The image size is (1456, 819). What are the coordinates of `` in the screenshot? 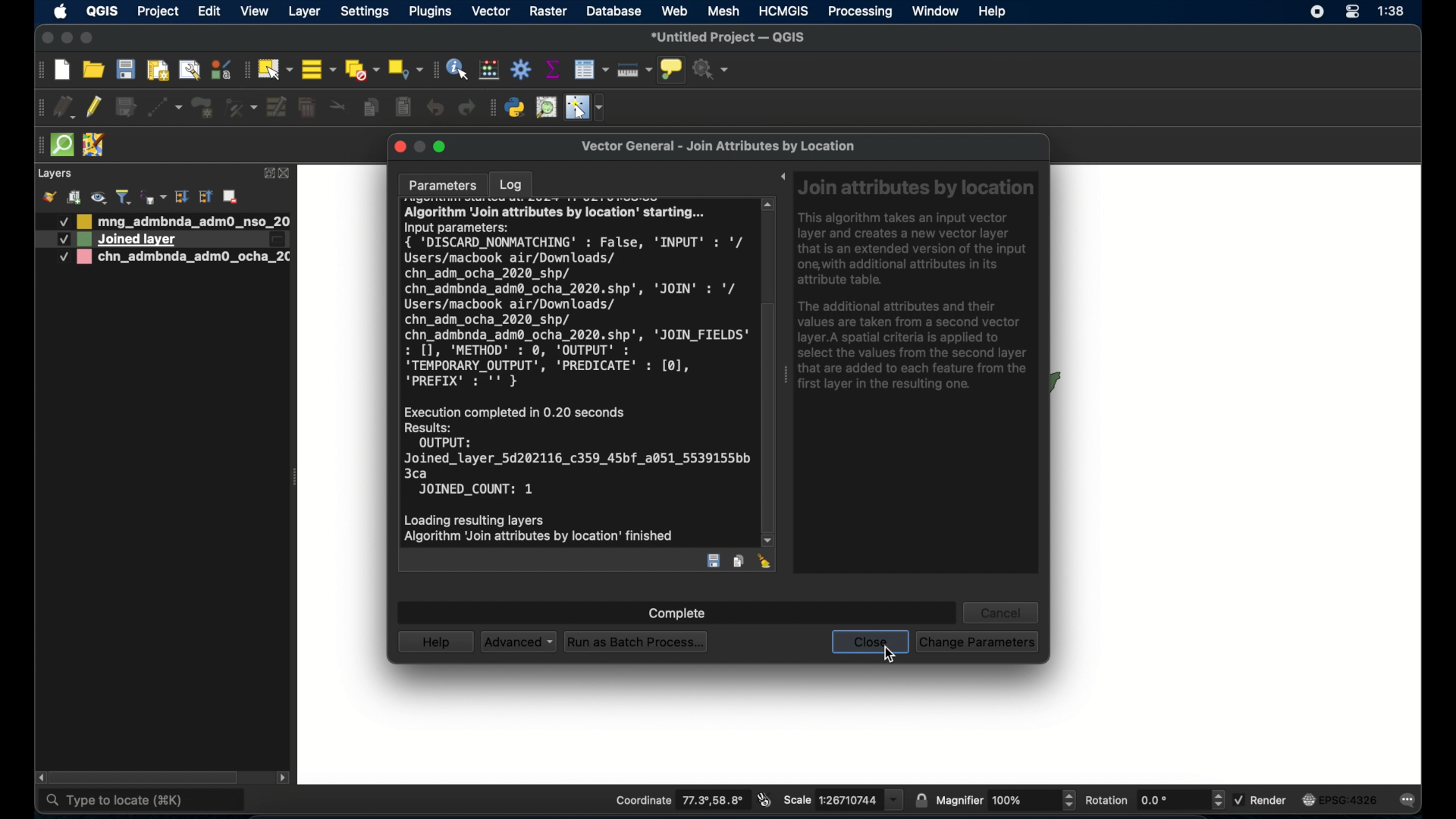 It's located at (56, 222).